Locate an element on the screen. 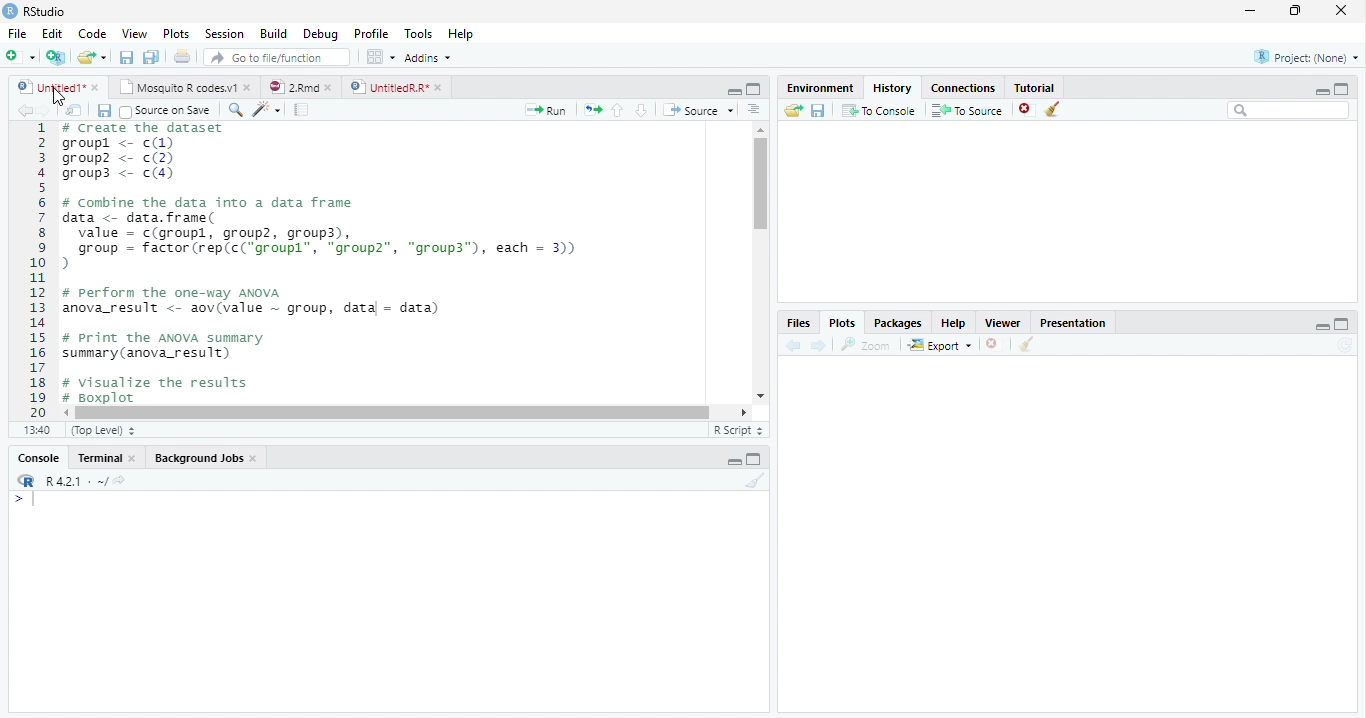 The image size is (1366, 718). Minimize is located at coordinates (1319, 91).